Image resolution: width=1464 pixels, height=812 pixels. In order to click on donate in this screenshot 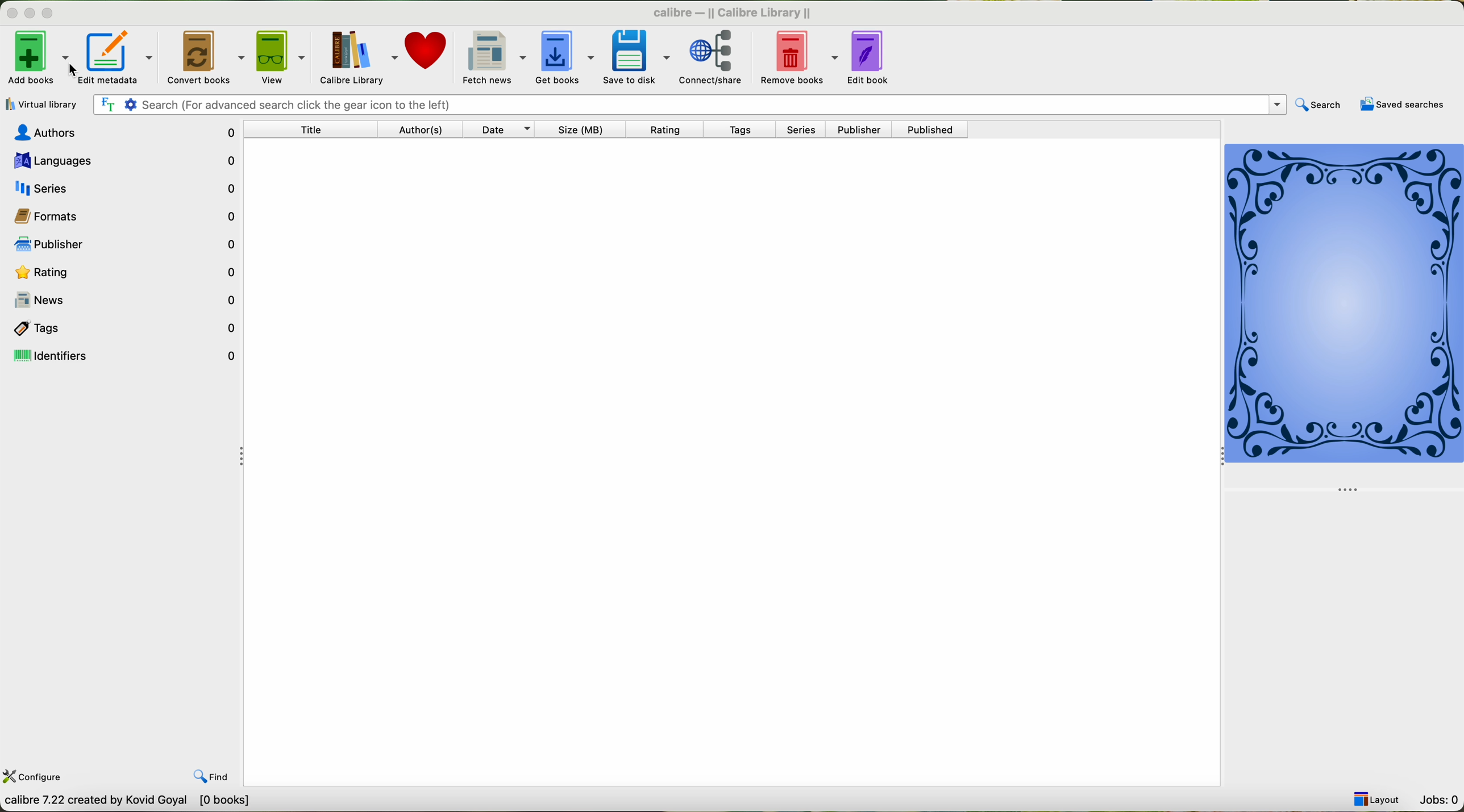, I will do `click(427, 53)`.